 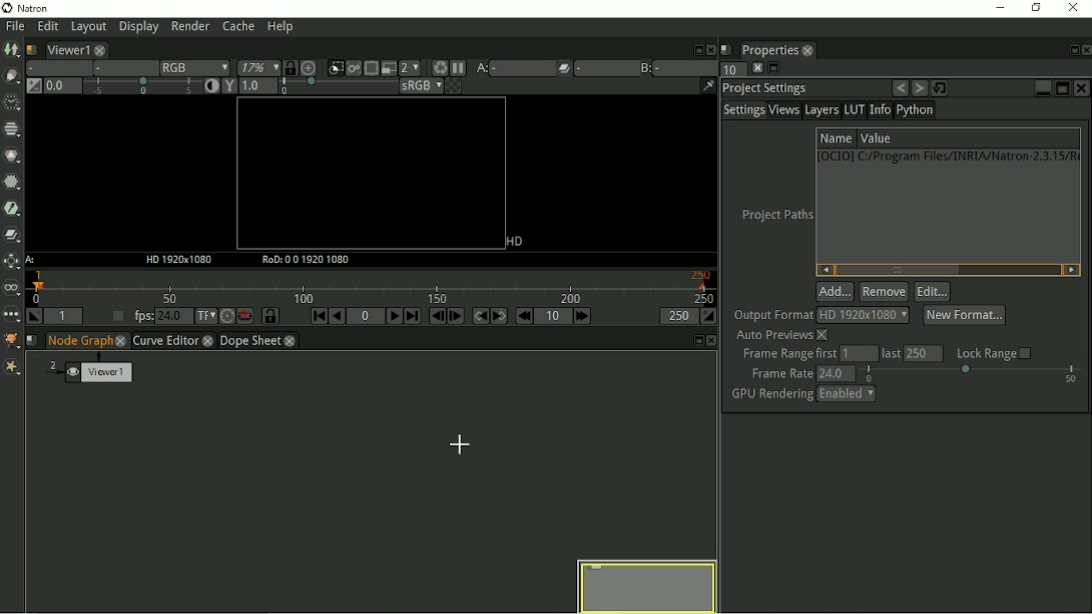 What do you see at coordinates (289, 67) in the screenshot?
I see `Synchronize` at bounding box center [289, 67].